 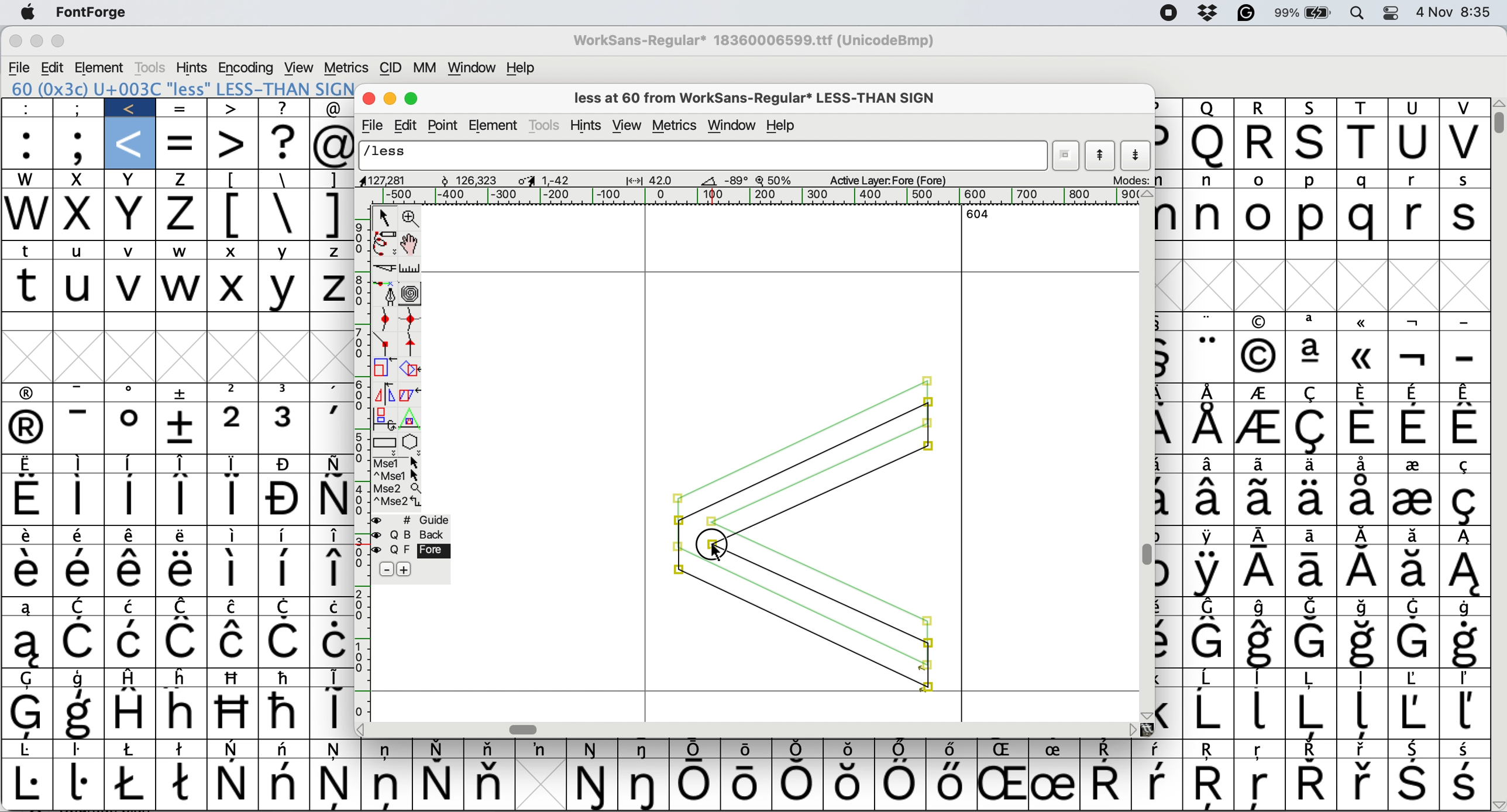 What do you see at coordinates (800, 748) in the screenshot?
I see `Symbol` at bounding box center [800, 748].